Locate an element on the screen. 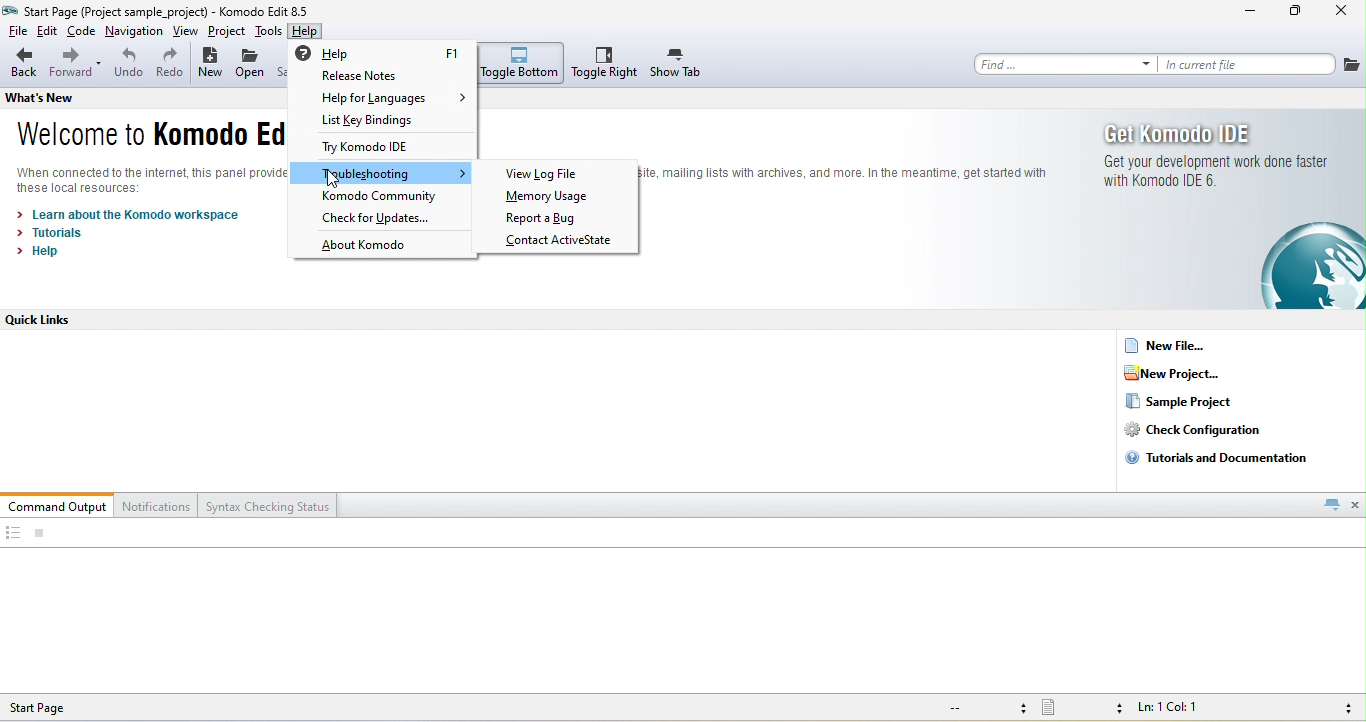 The width and height of the screenshot is (1366, 722). new file is located at coordinates (1174, 345).